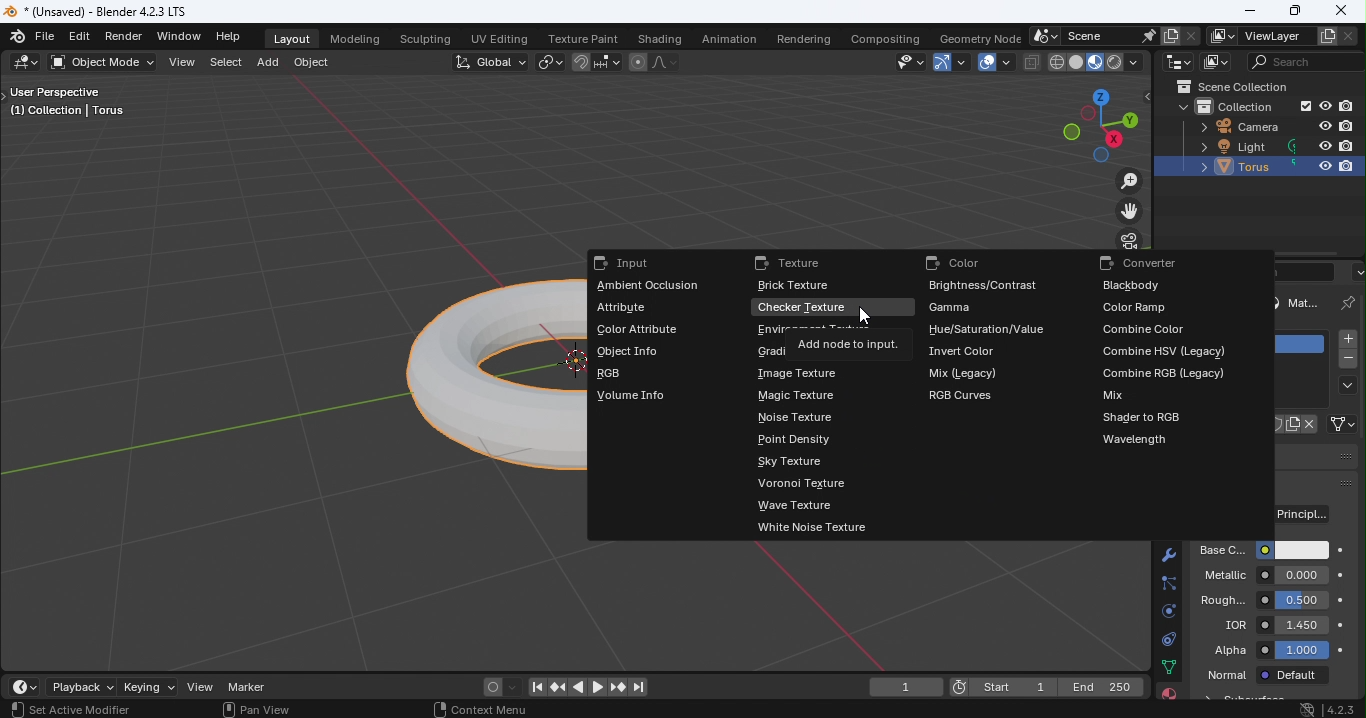  What do you see at coordinates (1168, 609) in the screenshot?
I see `Physics` at bounding box center [1168, 609].